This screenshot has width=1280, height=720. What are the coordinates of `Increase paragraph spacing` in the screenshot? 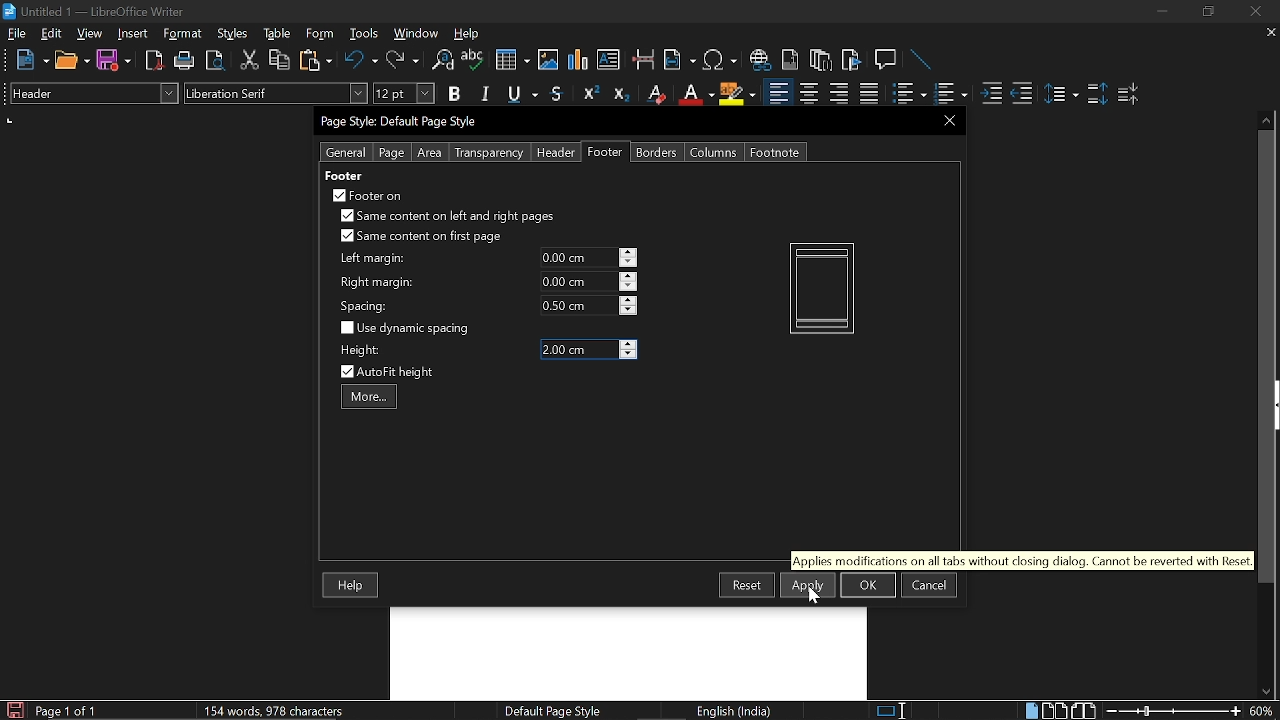 It's located at (1097, 95).